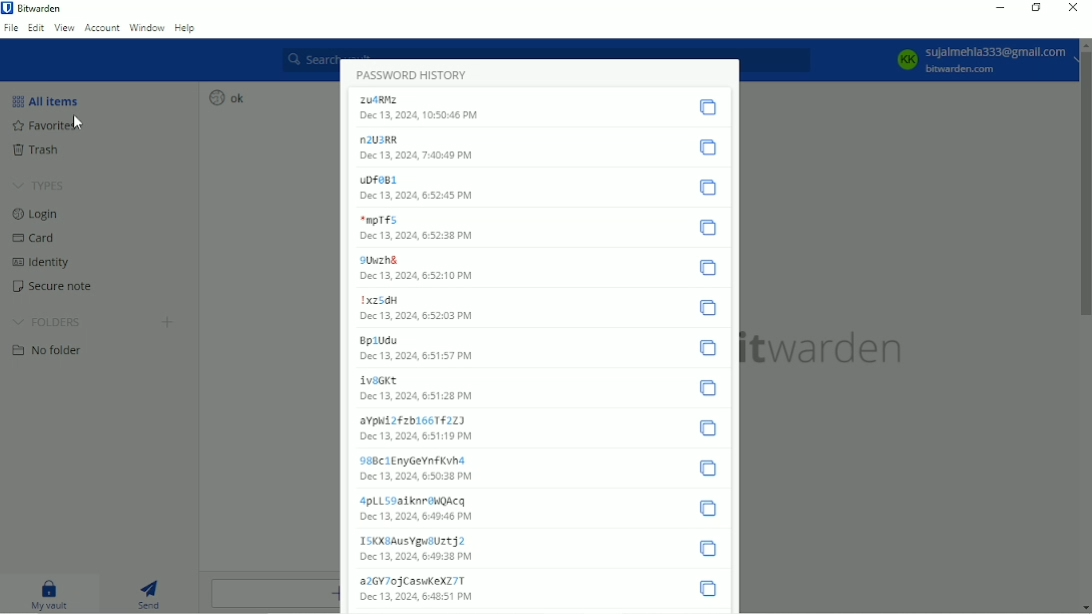 This screenshot has width=1092, height=614. Describe the element at coordinates (418, 156) in the screenshot. I see `Dec 13, 2024, 7:40:49 PM` at that location.